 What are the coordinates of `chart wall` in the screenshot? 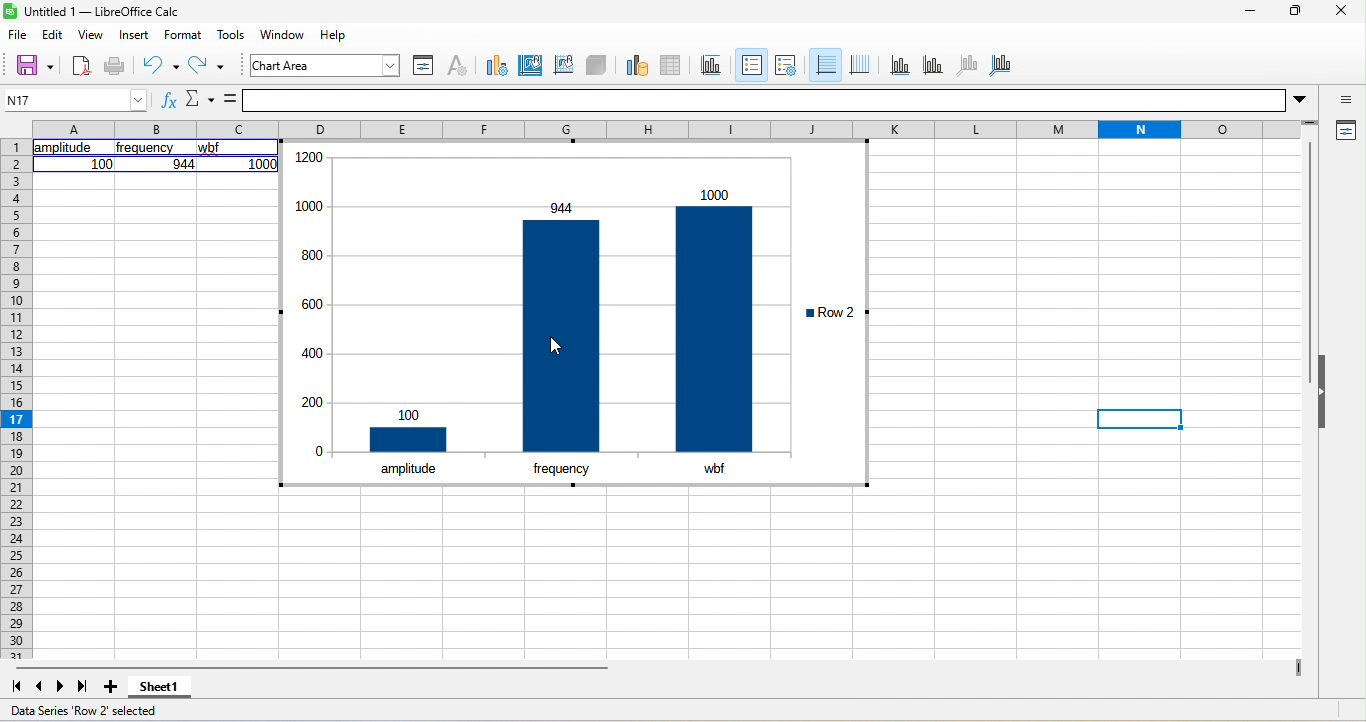 It's located at (563, 66).